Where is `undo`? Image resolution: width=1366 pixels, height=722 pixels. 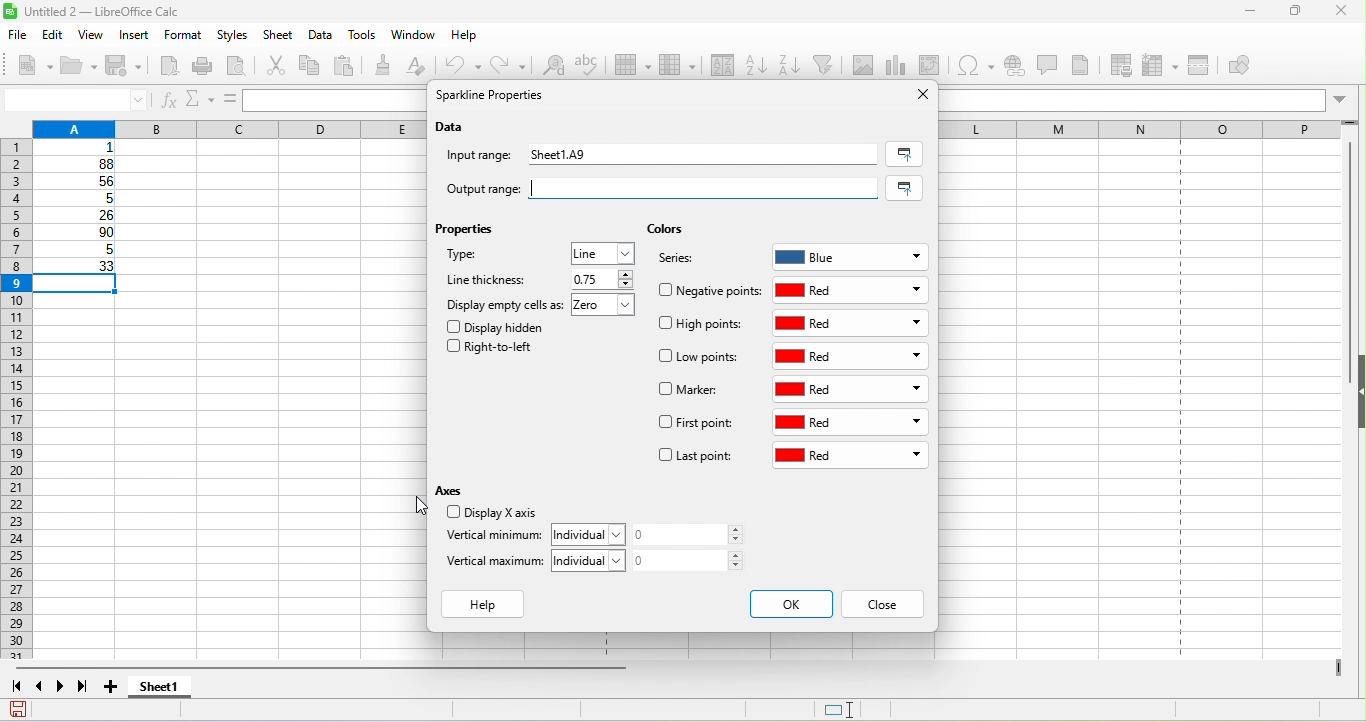 undo is located at coordinates (466, 65).